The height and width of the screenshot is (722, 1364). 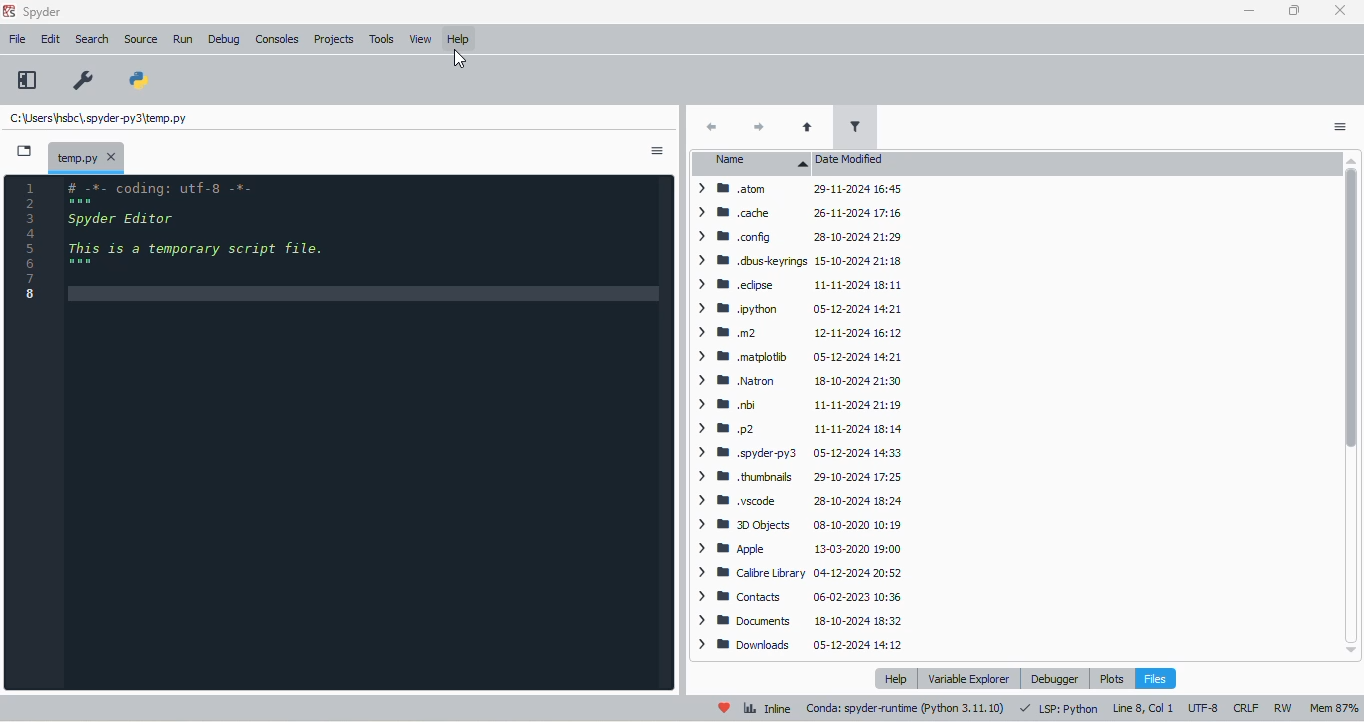 I want to click on UTF-8, so click(x=1204, y=709).